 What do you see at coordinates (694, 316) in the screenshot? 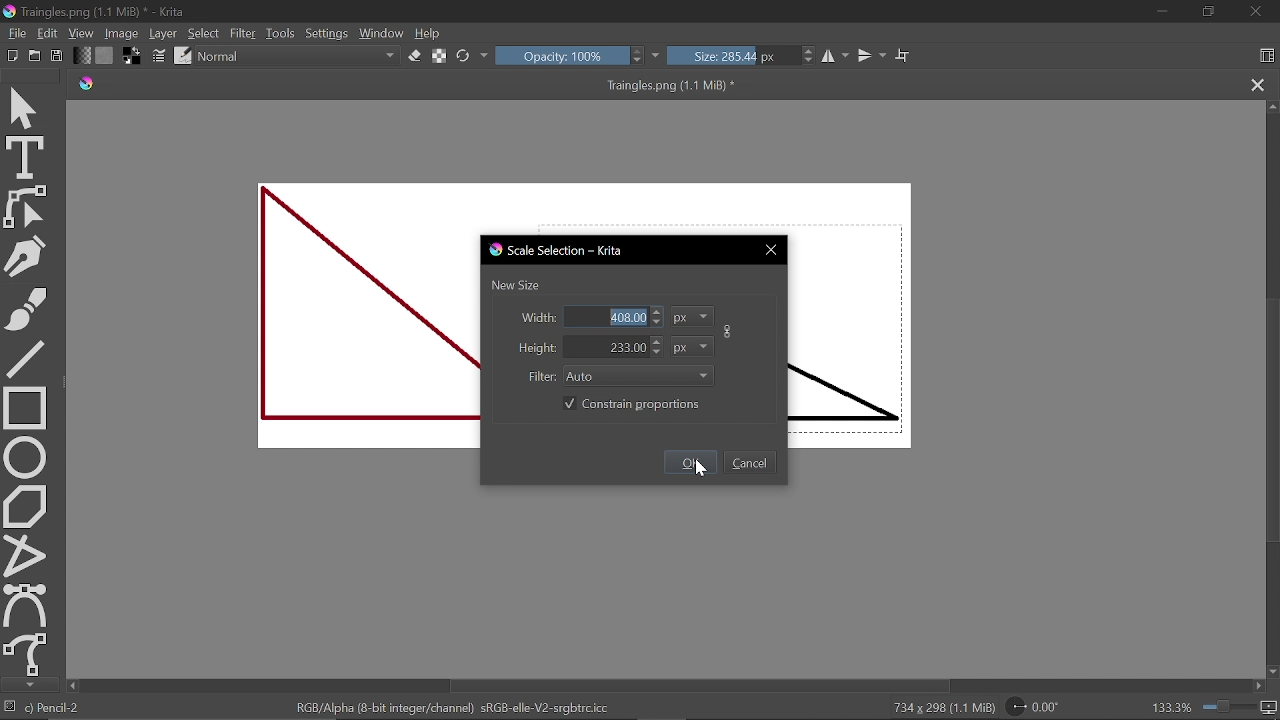
I see `px` at bounding box center [694, 316].